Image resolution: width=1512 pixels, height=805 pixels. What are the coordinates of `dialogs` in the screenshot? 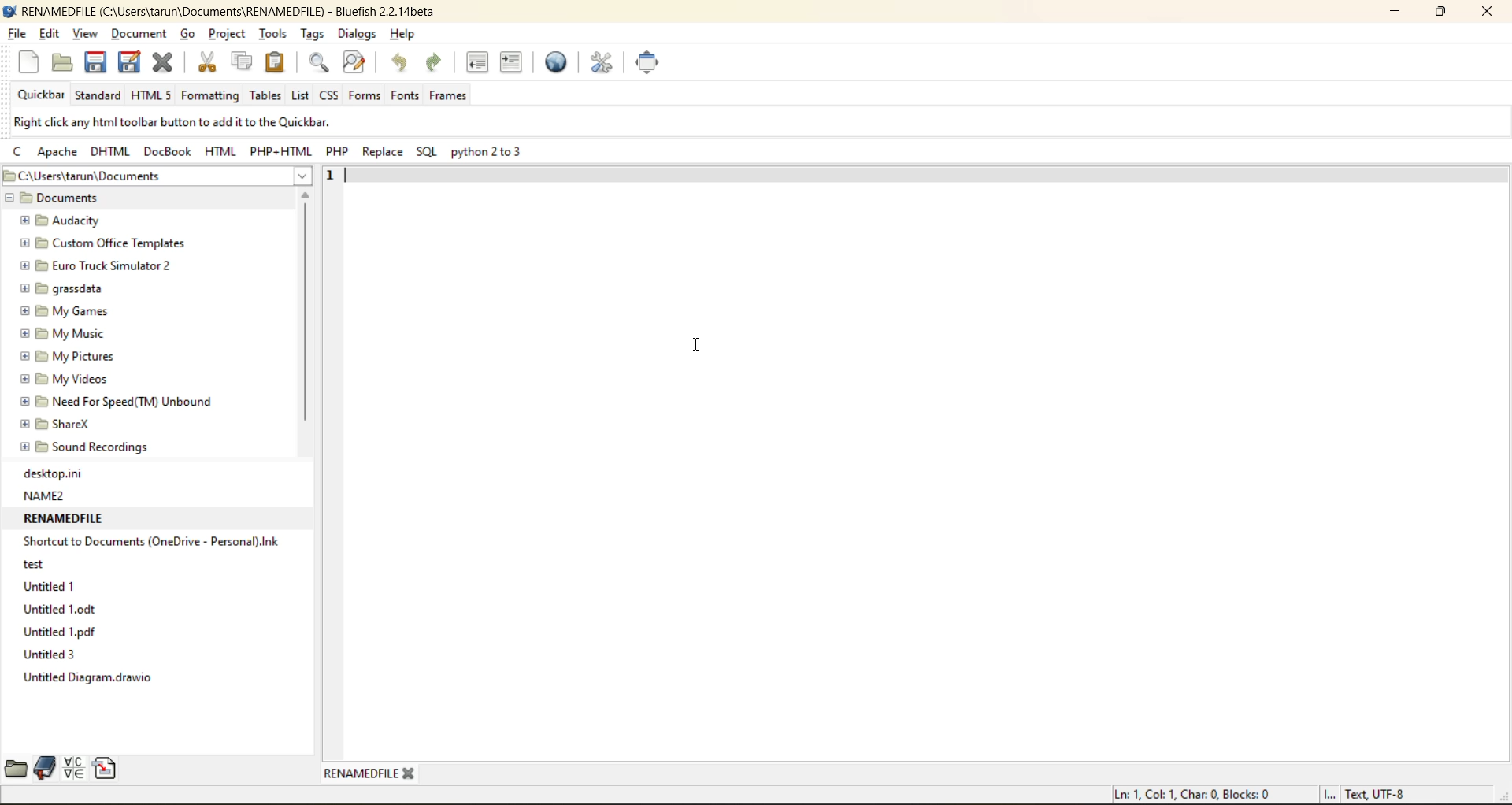 It's located at (358, 36).